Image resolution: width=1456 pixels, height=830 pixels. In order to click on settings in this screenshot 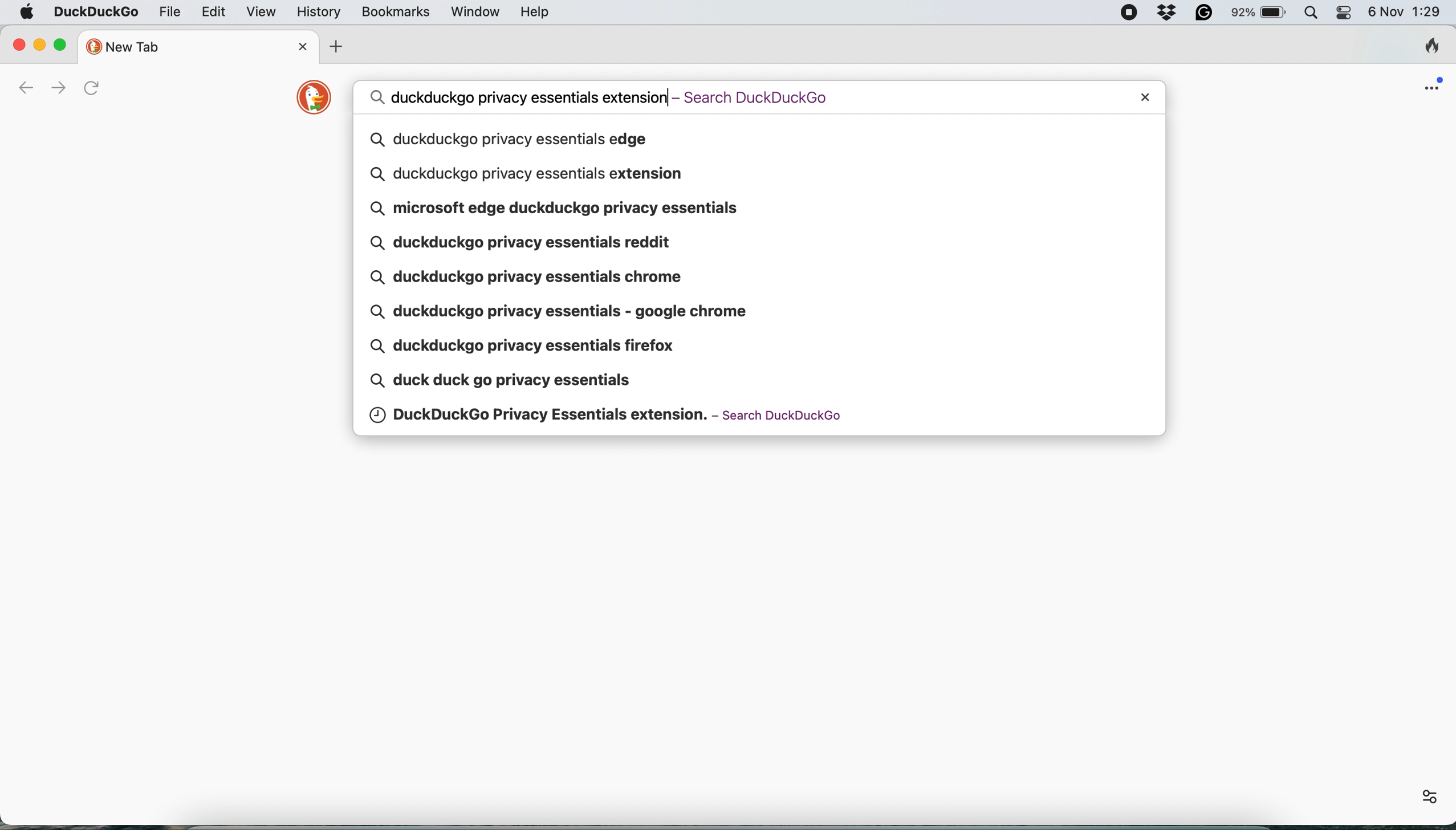, I will do `click(1424, 797)`.